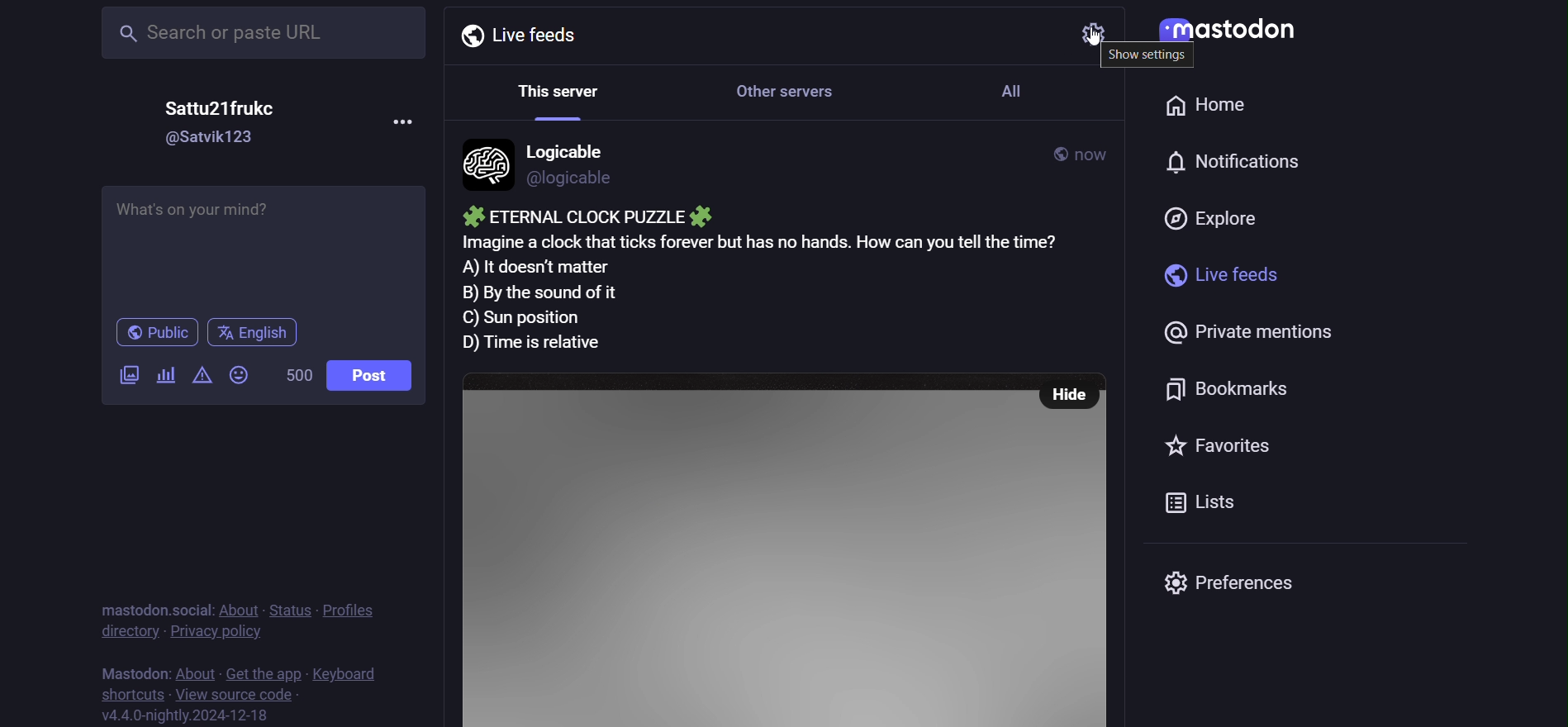 This screenshot has height=727, width=1568. Describe the element at coordinates (260, 36) in the screenshot. I see `search` at that location.